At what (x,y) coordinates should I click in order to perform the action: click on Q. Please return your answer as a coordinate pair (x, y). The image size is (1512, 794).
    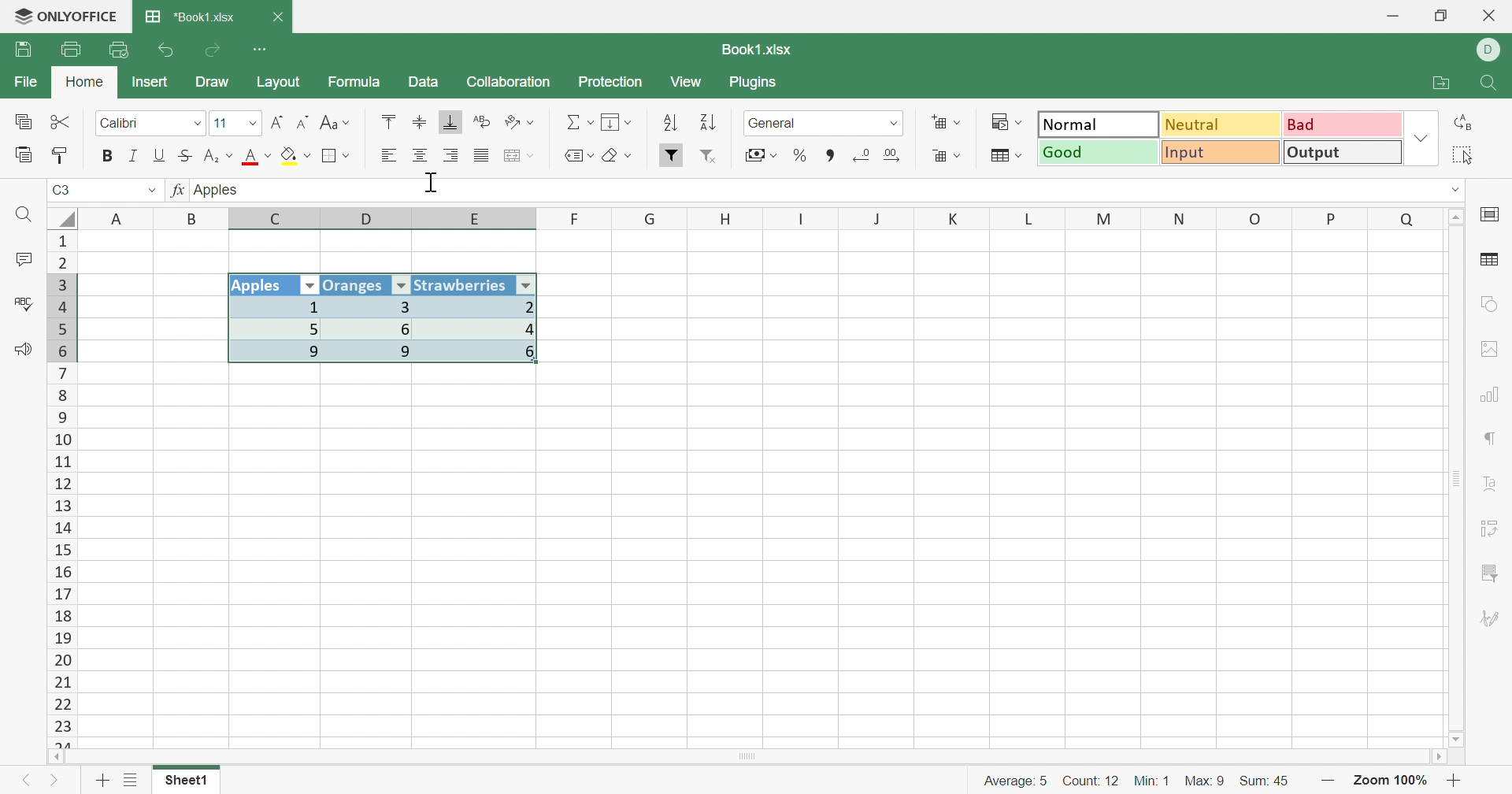
    Looking at the image, I should click on (1406, 217).